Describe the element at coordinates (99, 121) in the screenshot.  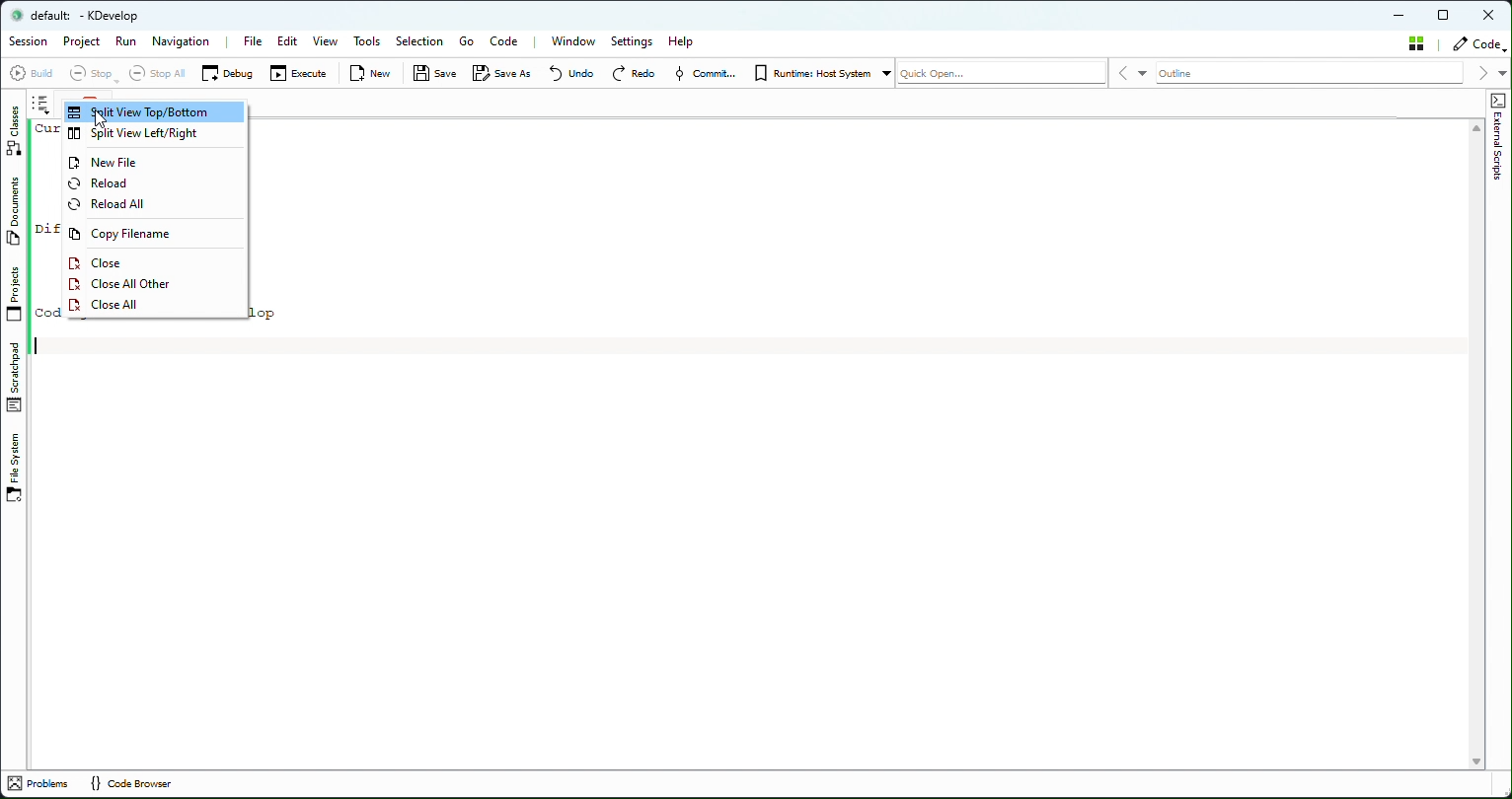
I see `Cursor` at that location.